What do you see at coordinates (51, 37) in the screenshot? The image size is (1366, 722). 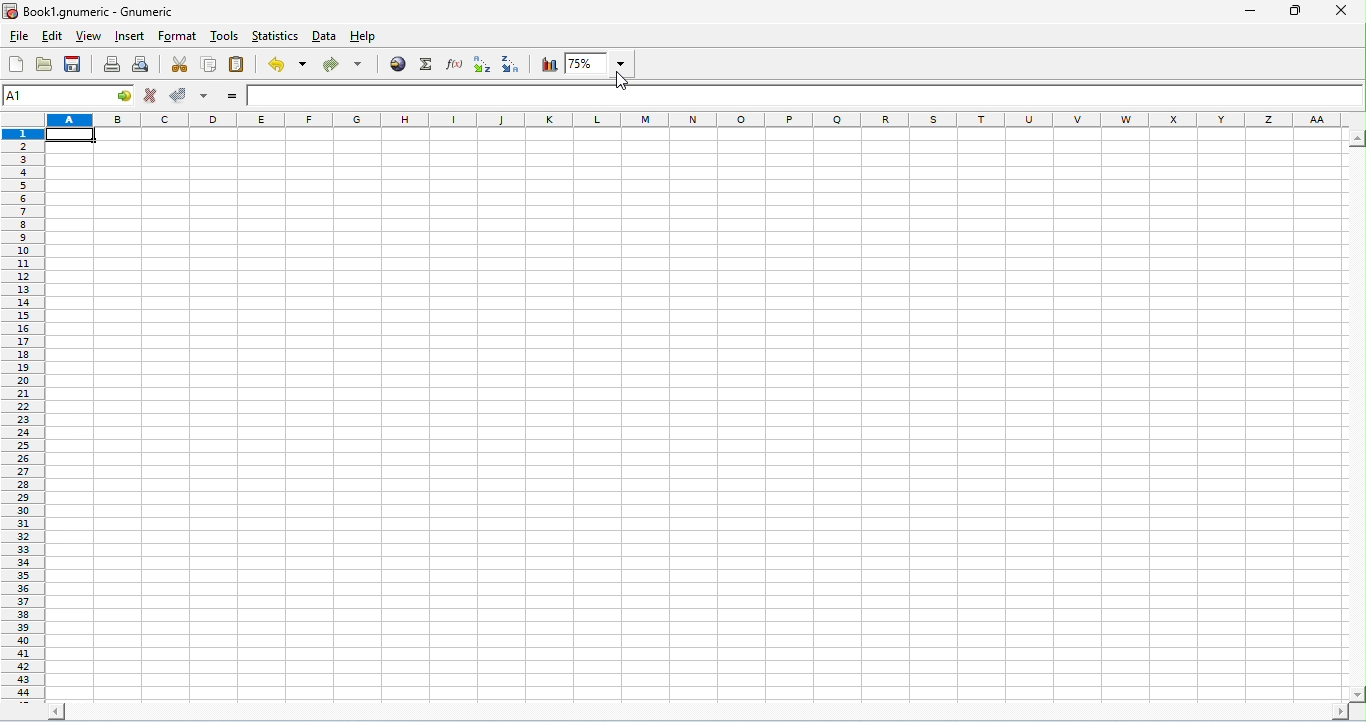 I see `edit` at bounding box center [51, 37].